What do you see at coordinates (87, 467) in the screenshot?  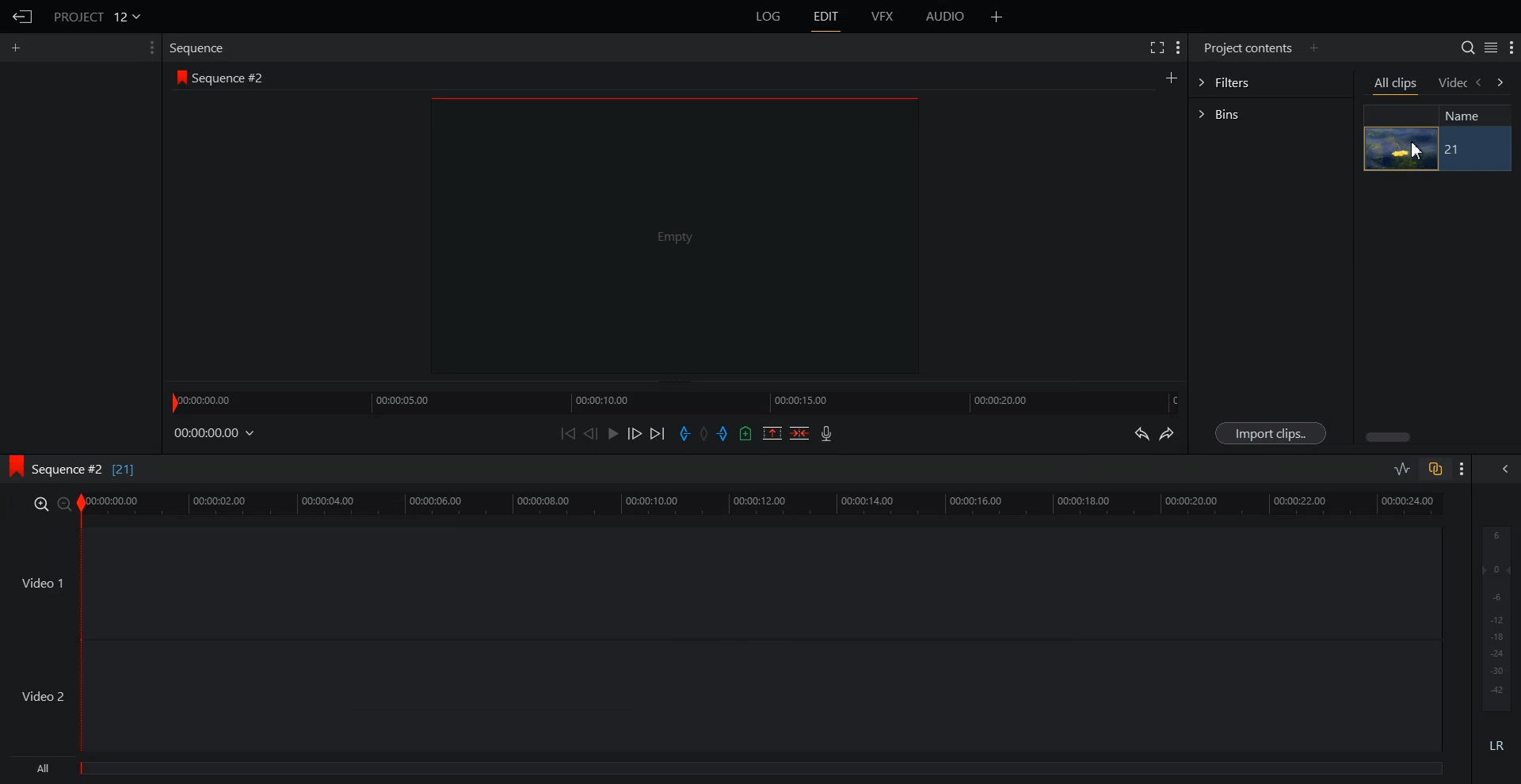 I see `Sequence #2 [21]` at bounding box center [87, 467].